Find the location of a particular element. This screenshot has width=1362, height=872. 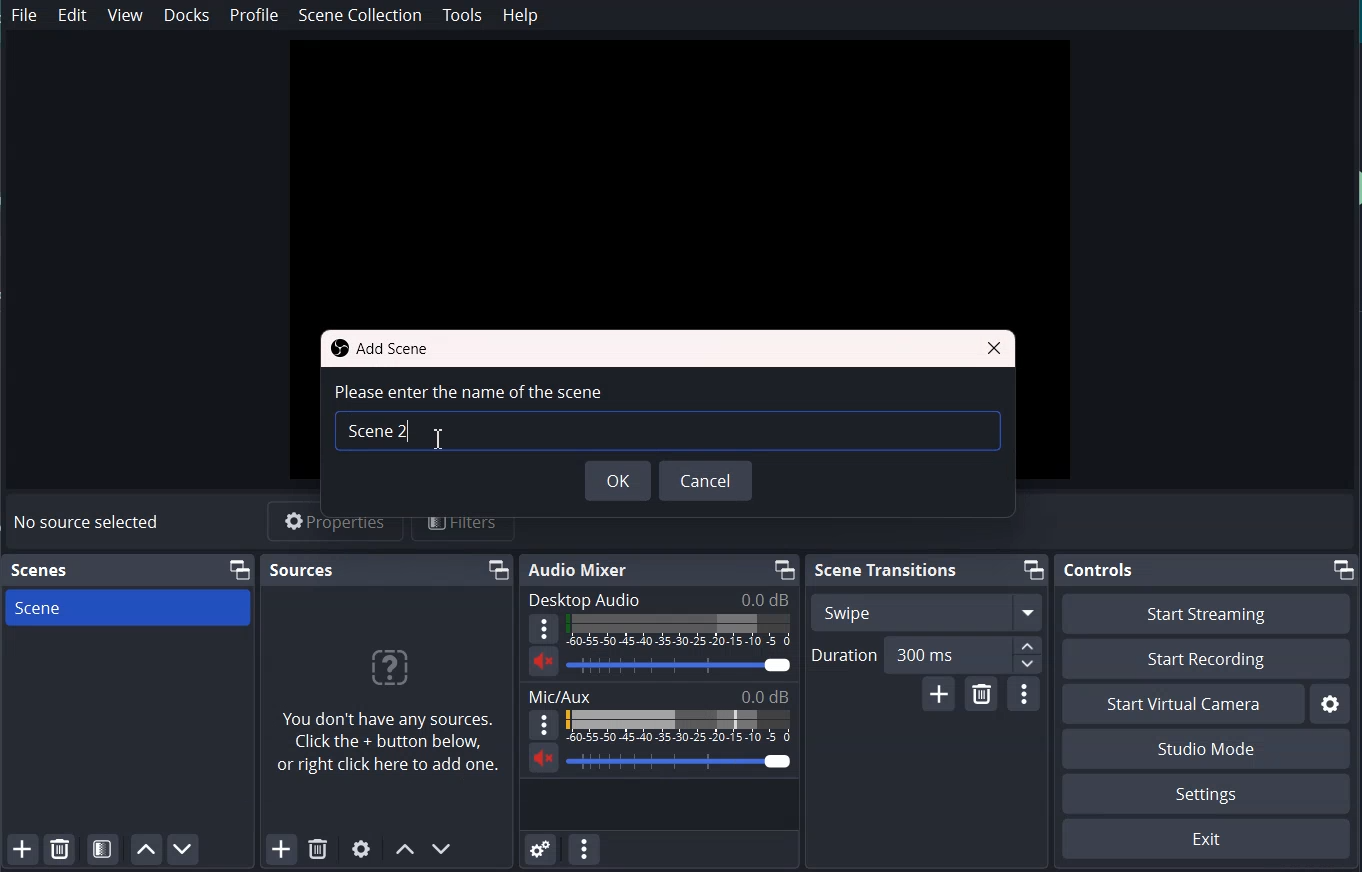

Swipe is located at coordinates (926, 611).